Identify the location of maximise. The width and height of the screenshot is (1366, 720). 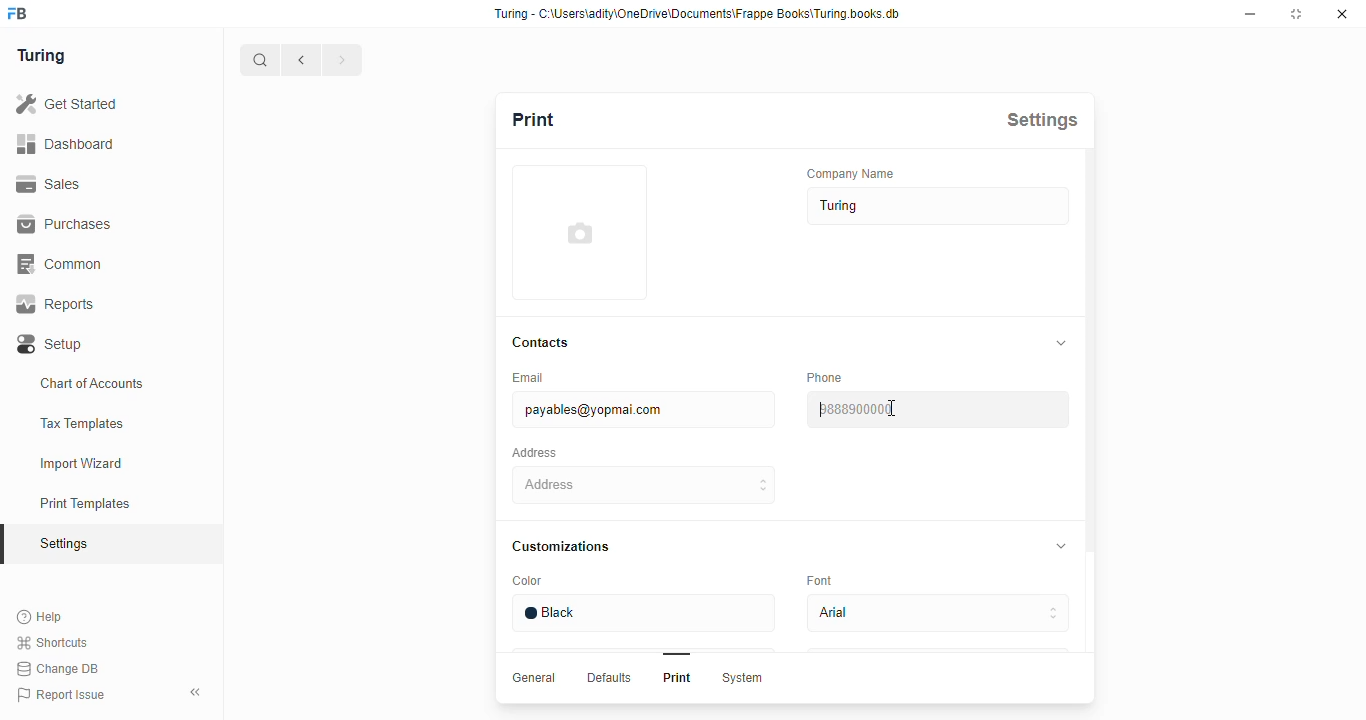
(1299, 14).